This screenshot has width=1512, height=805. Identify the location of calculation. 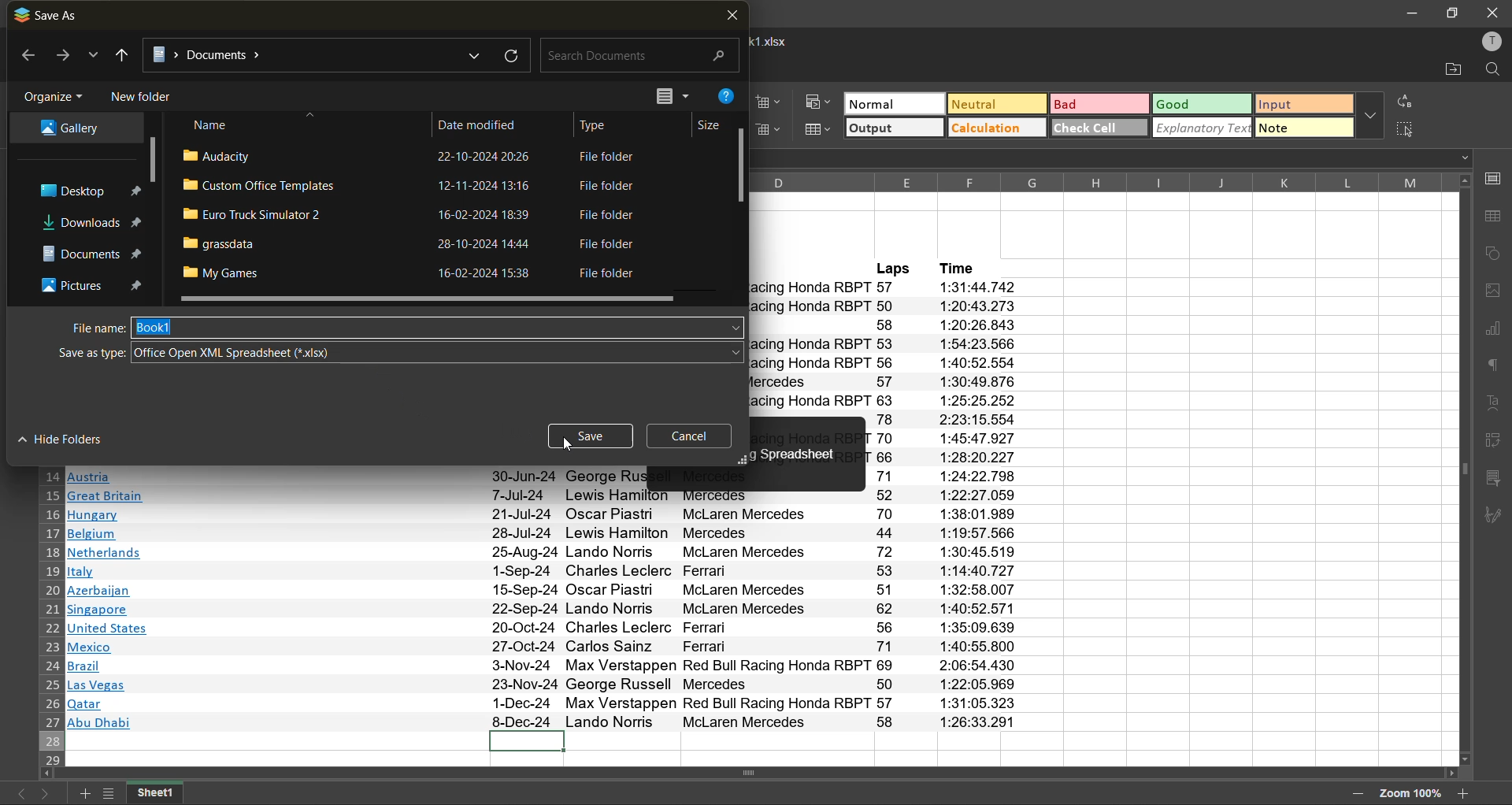
(996, 128).